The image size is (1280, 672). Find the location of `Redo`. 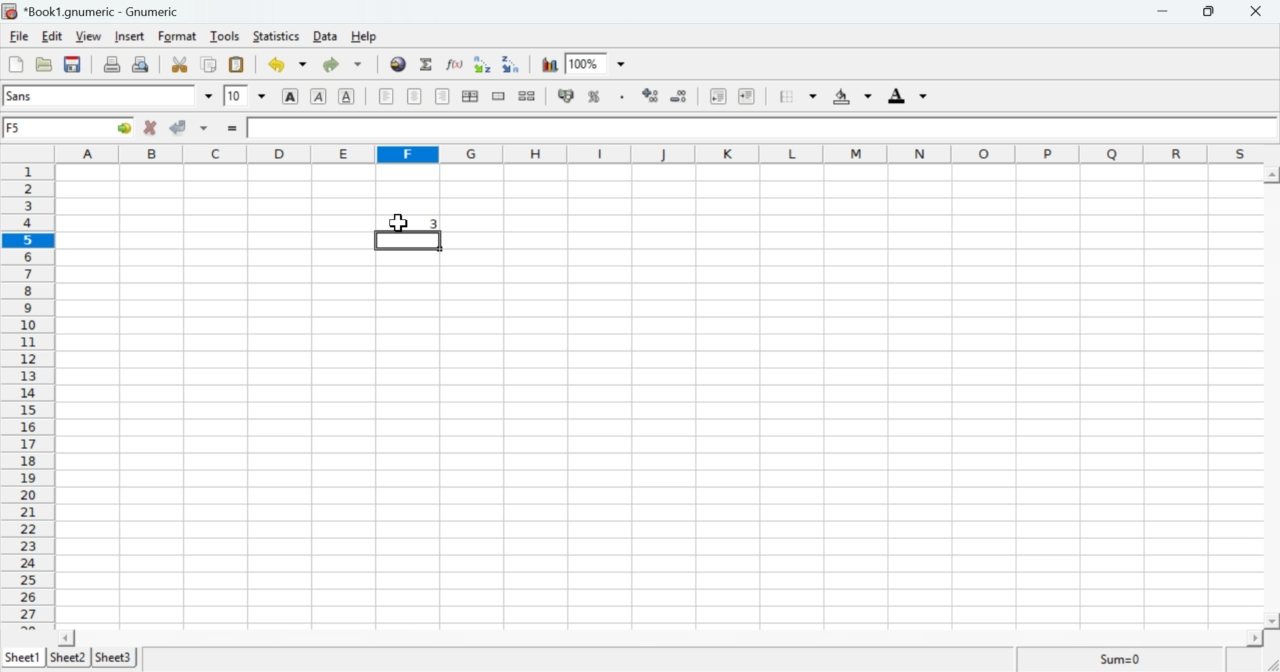

Redo is located at coordinates (341, 66).